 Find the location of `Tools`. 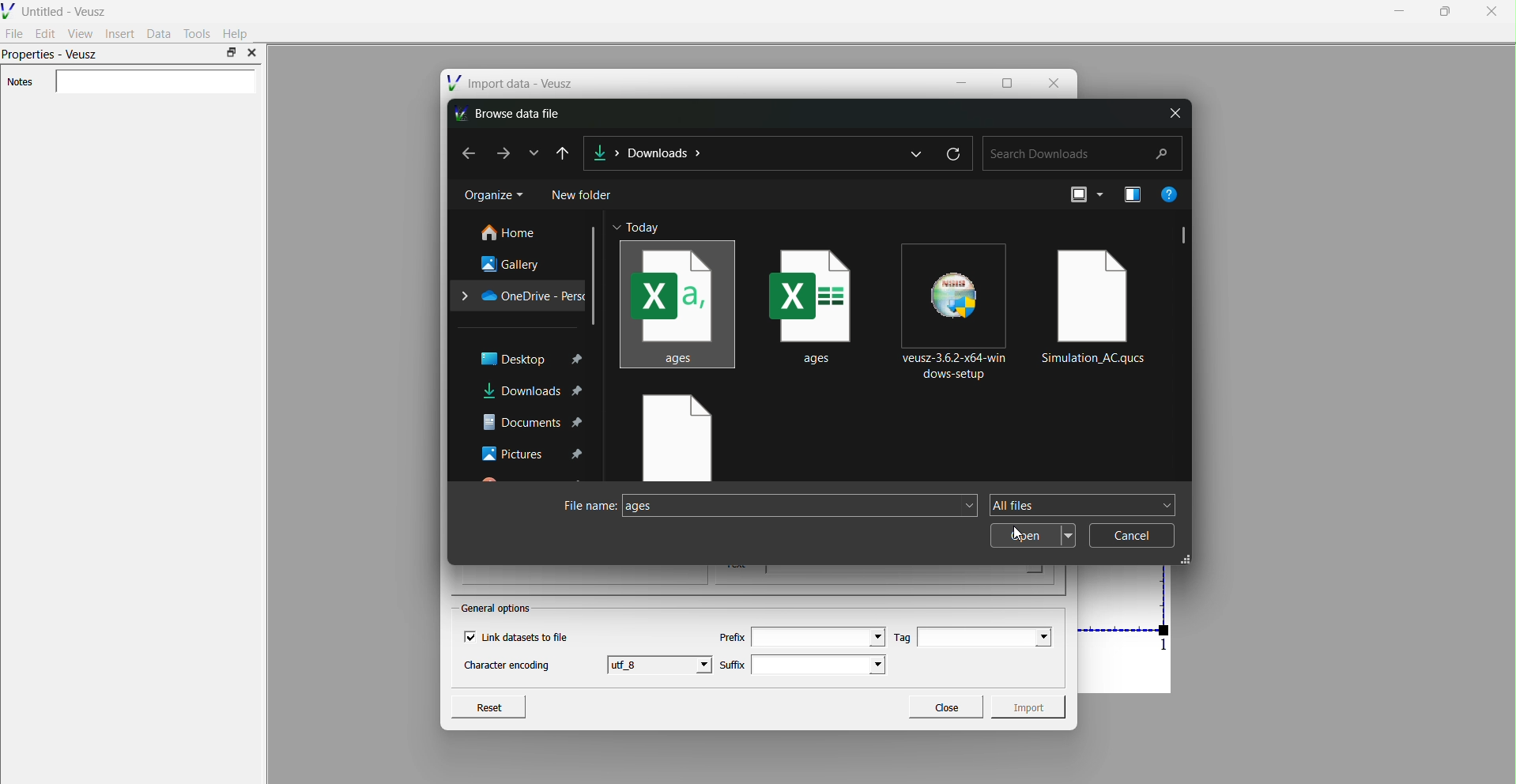

Tools is located at coordinates (198, 33).